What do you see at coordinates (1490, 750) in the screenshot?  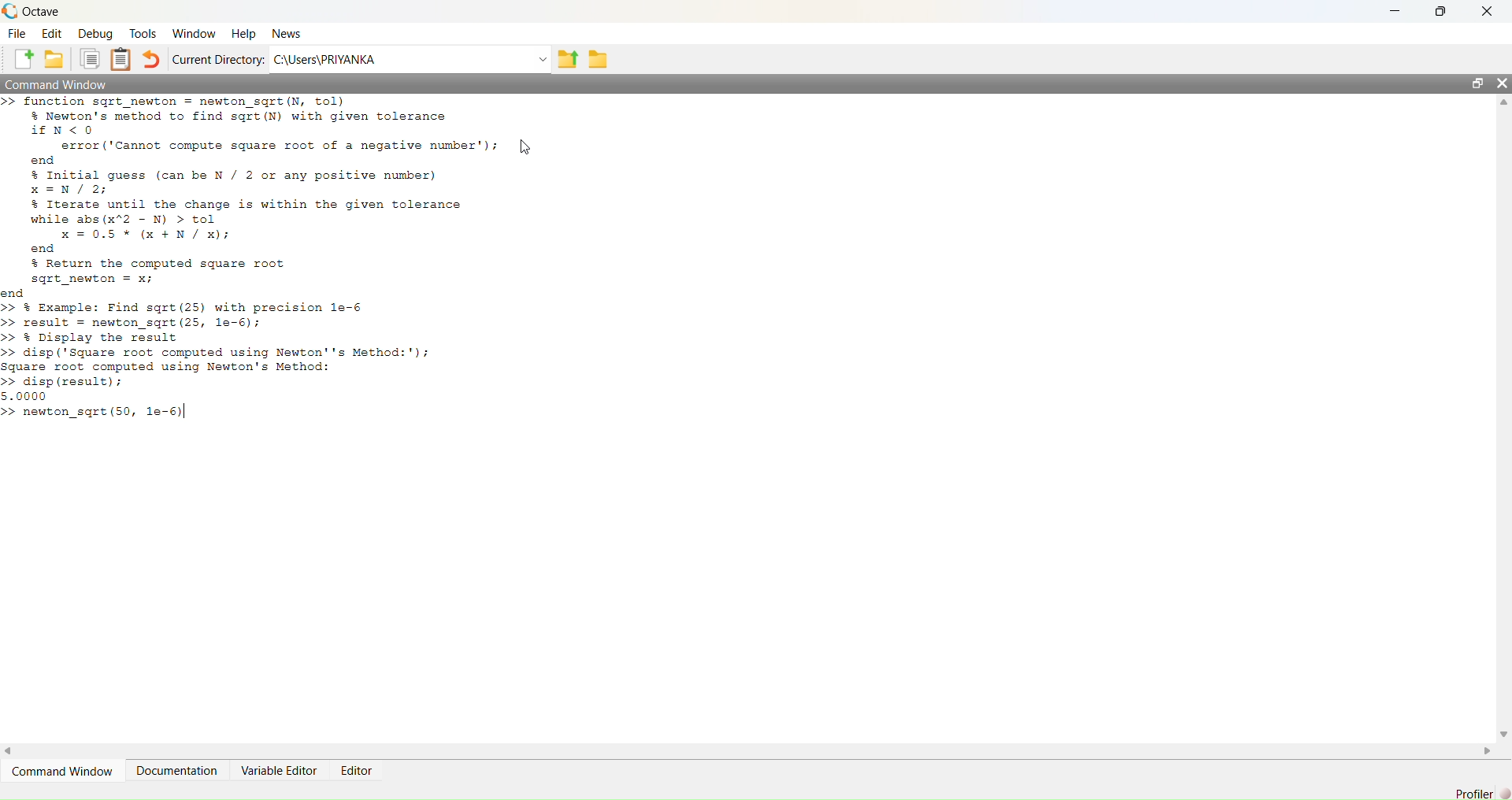 I see `Right` at bounding box center [1490, 750].